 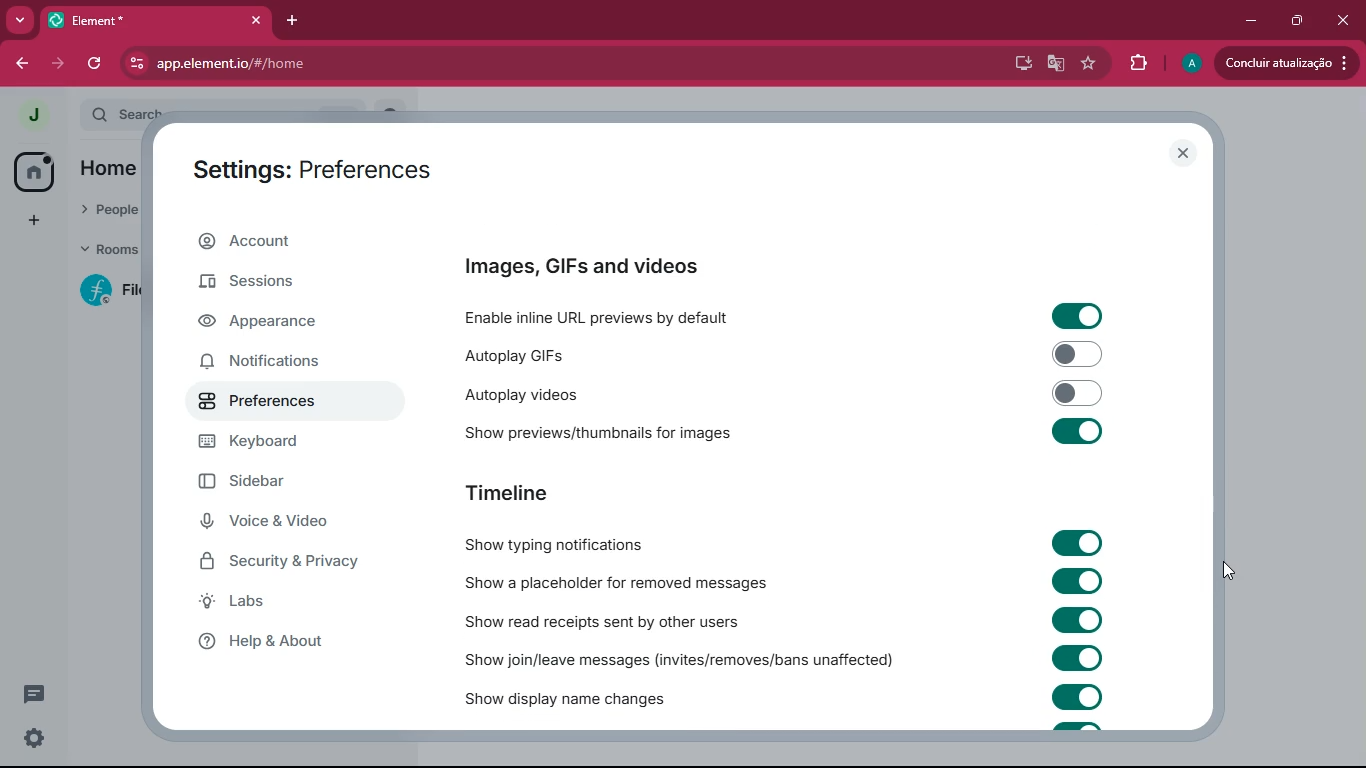 I want to click on images, GIFs and videos, so click(x=581, y=267).